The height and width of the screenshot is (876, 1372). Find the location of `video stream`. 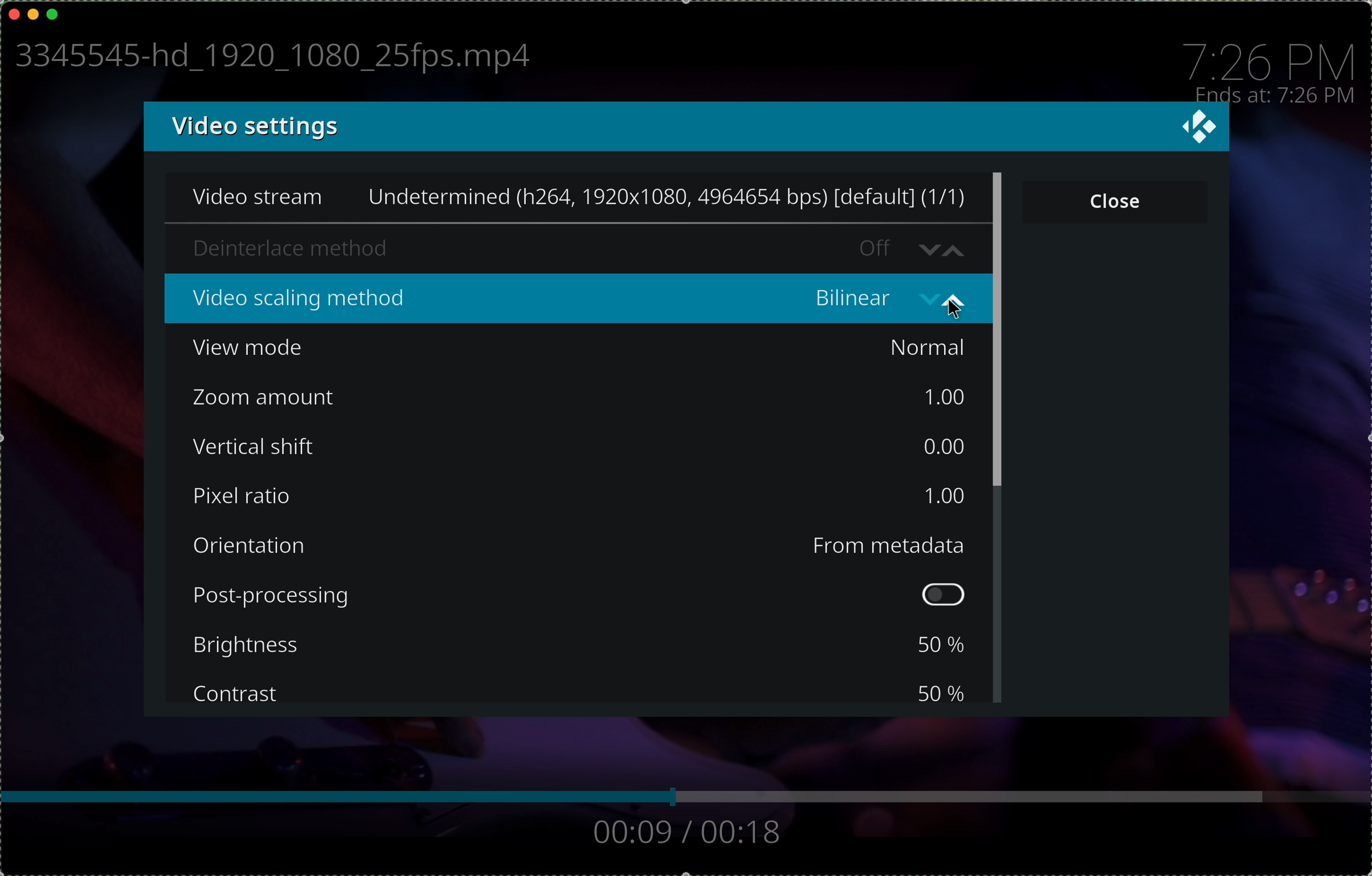

video stream is located at coordinates (577, 199).